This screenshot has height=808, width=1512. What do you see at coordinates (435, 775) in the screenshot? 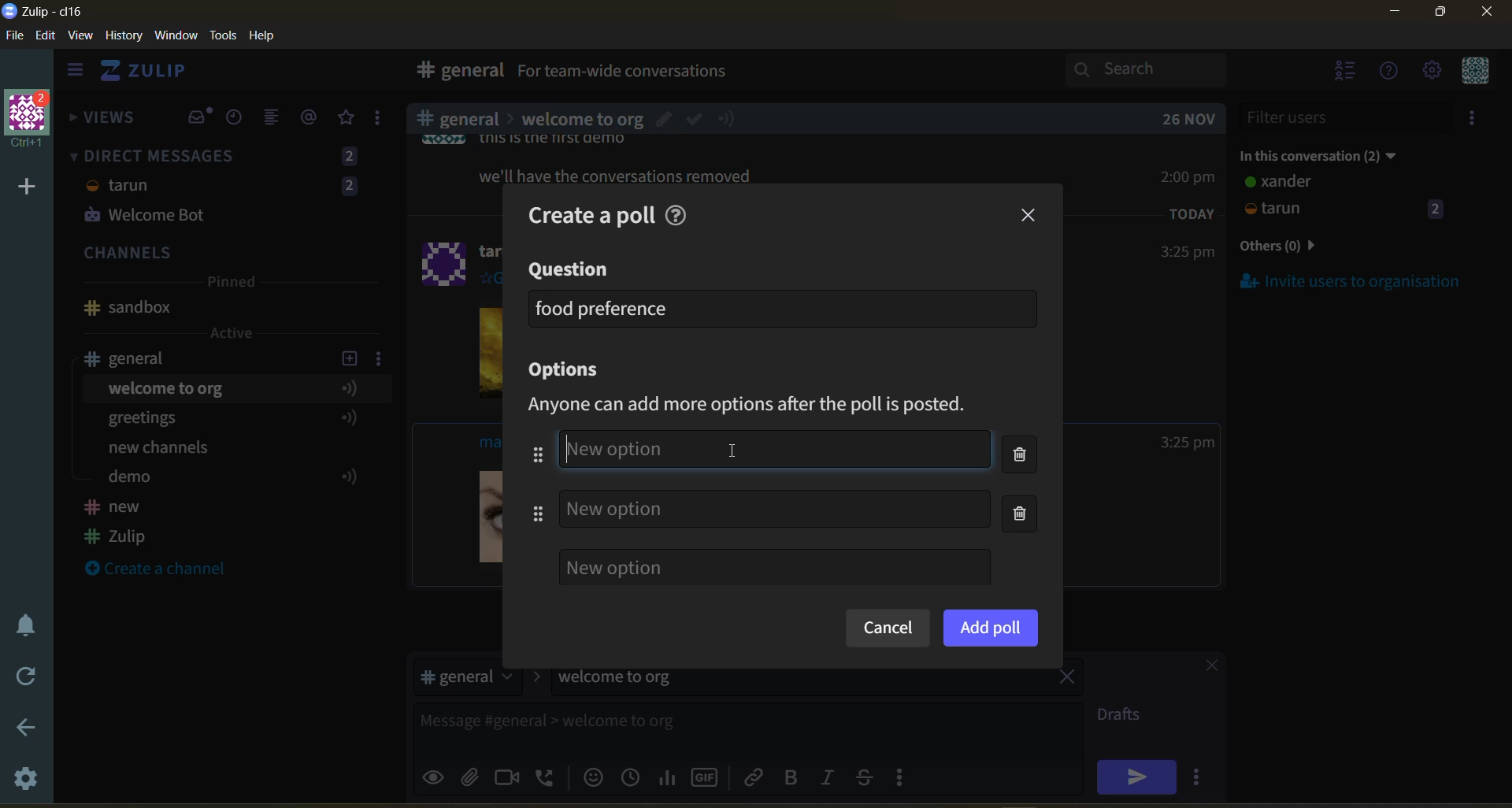
I see `preview` at bounding box center [435, 775].